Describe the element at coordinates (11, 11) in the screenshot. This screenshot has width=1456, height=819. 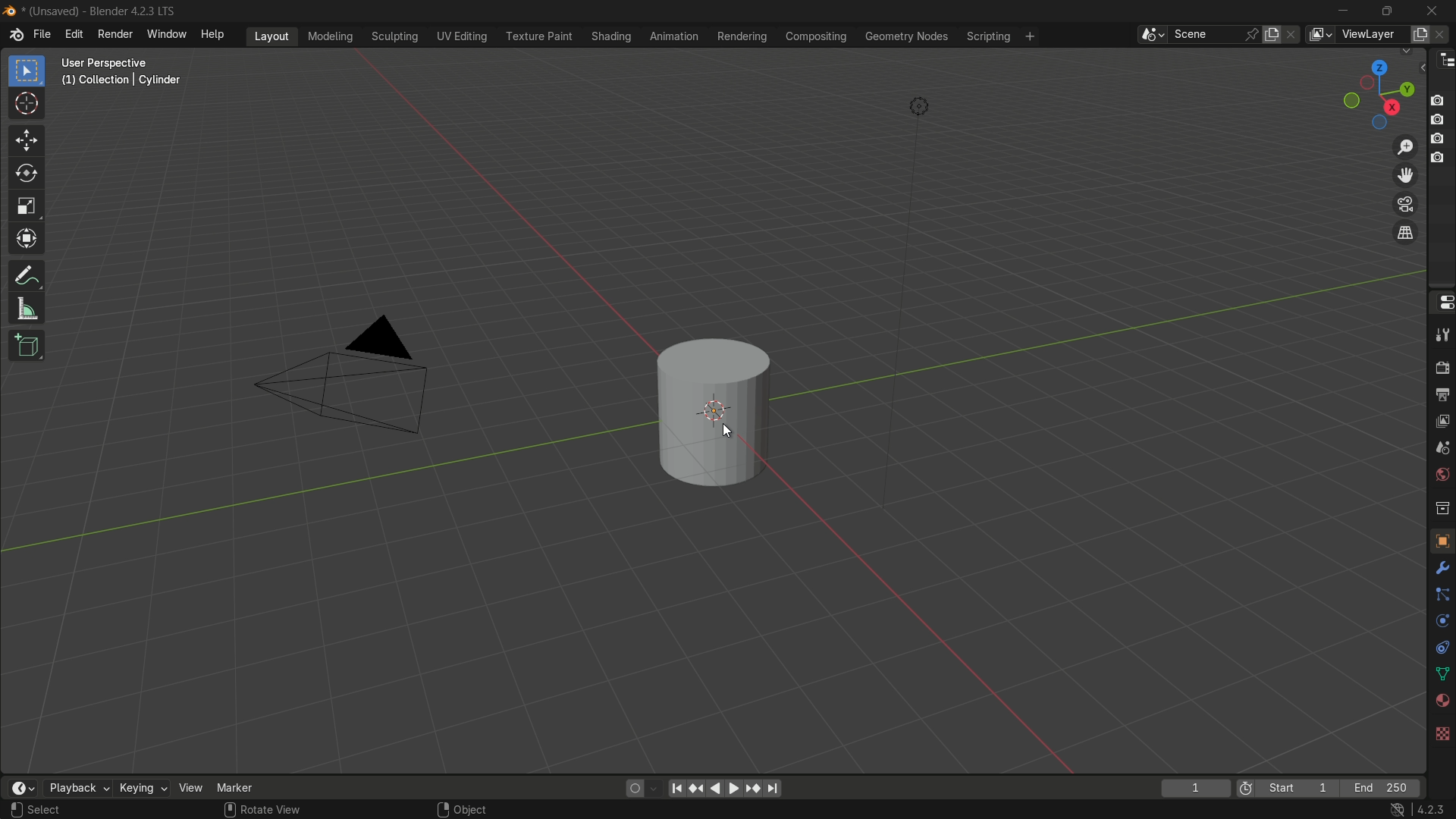
I see `logo` at that location.